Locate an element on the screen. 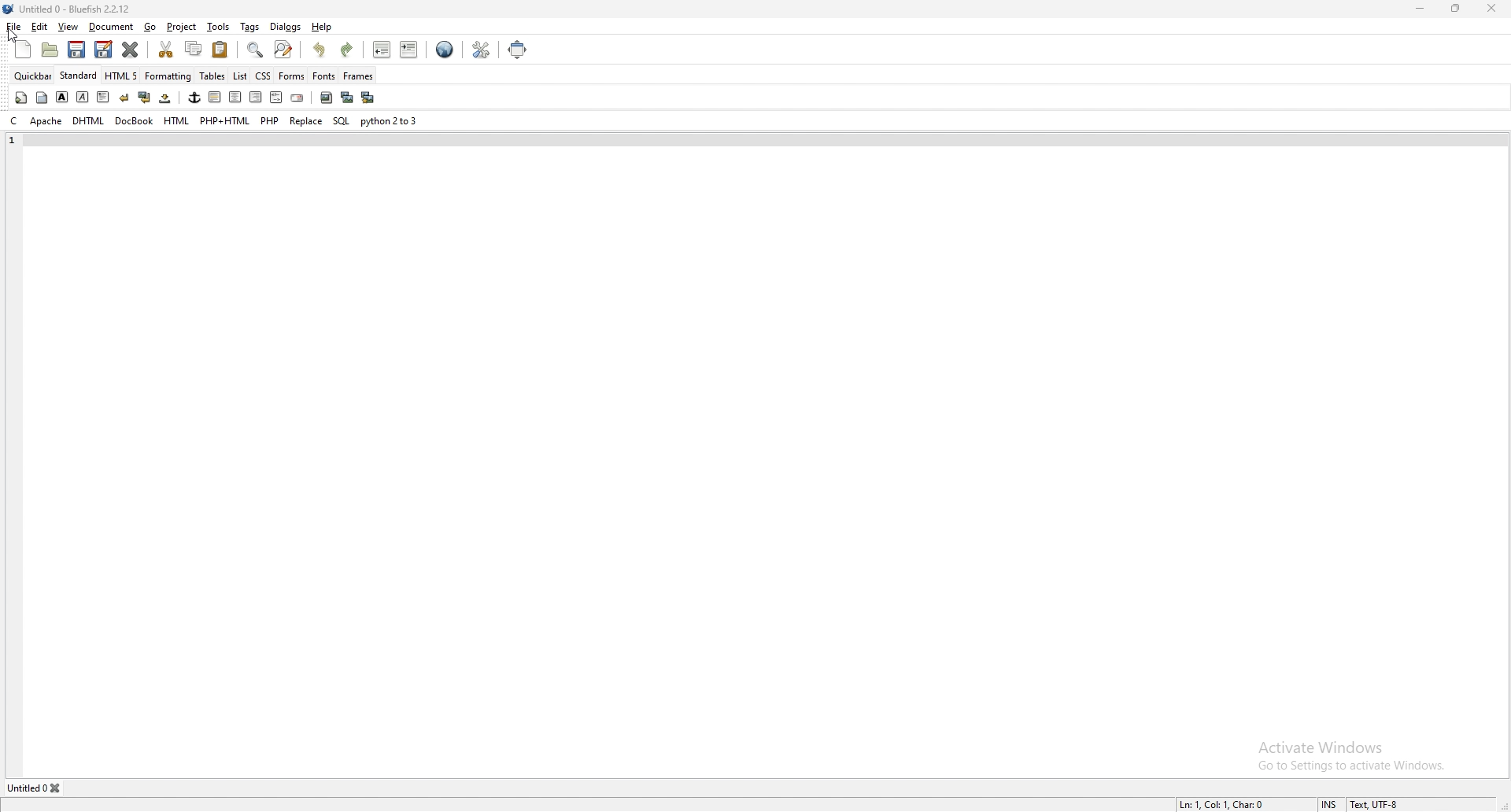 The image size is (1511, 812). minimize is located at coordinates (1422, 9).